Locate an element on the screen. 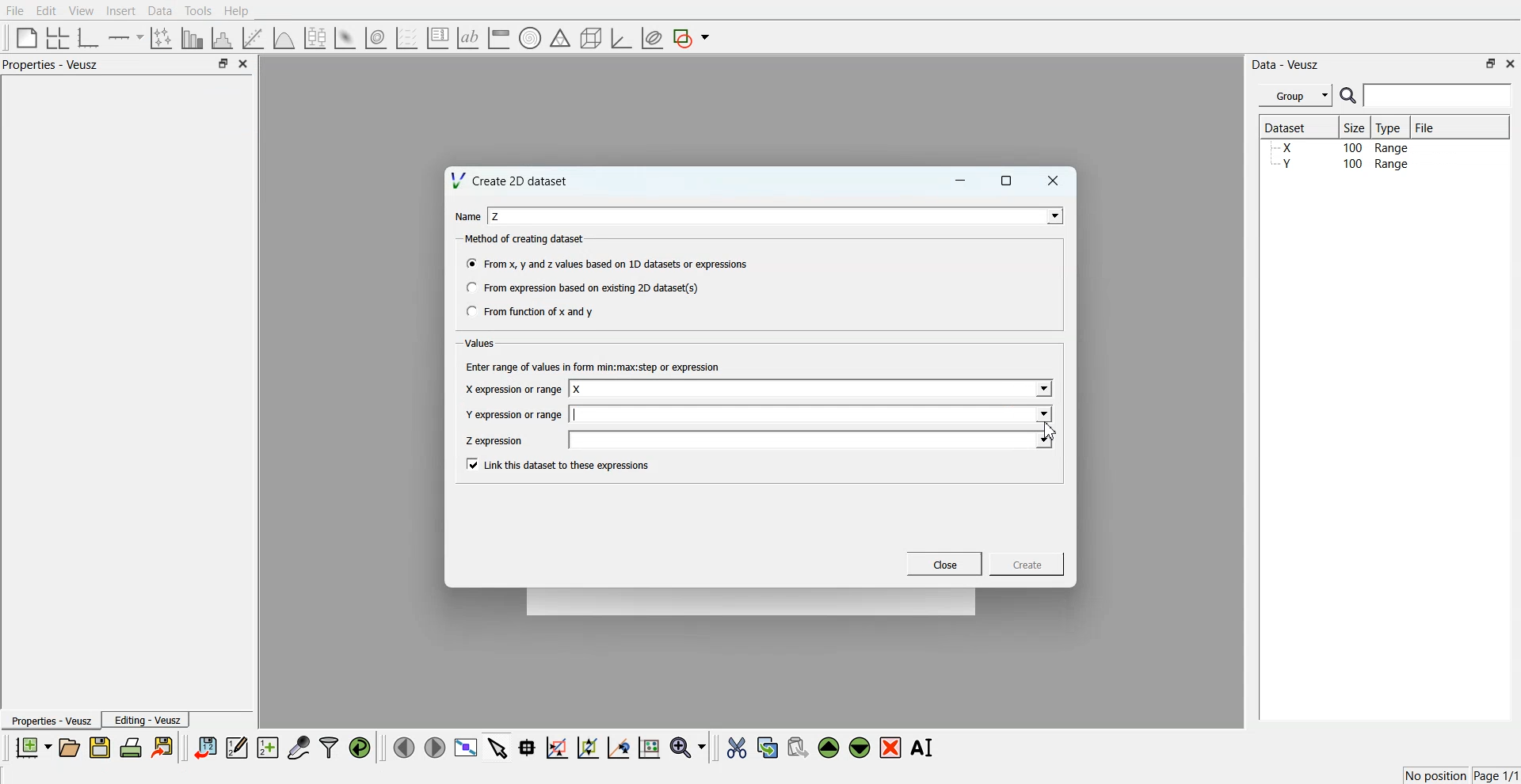 The height and width of the screenshot is (784, 1521). Sl (7 From expression based on existing 2D dataset(s) is located at coordinates (581, 287).